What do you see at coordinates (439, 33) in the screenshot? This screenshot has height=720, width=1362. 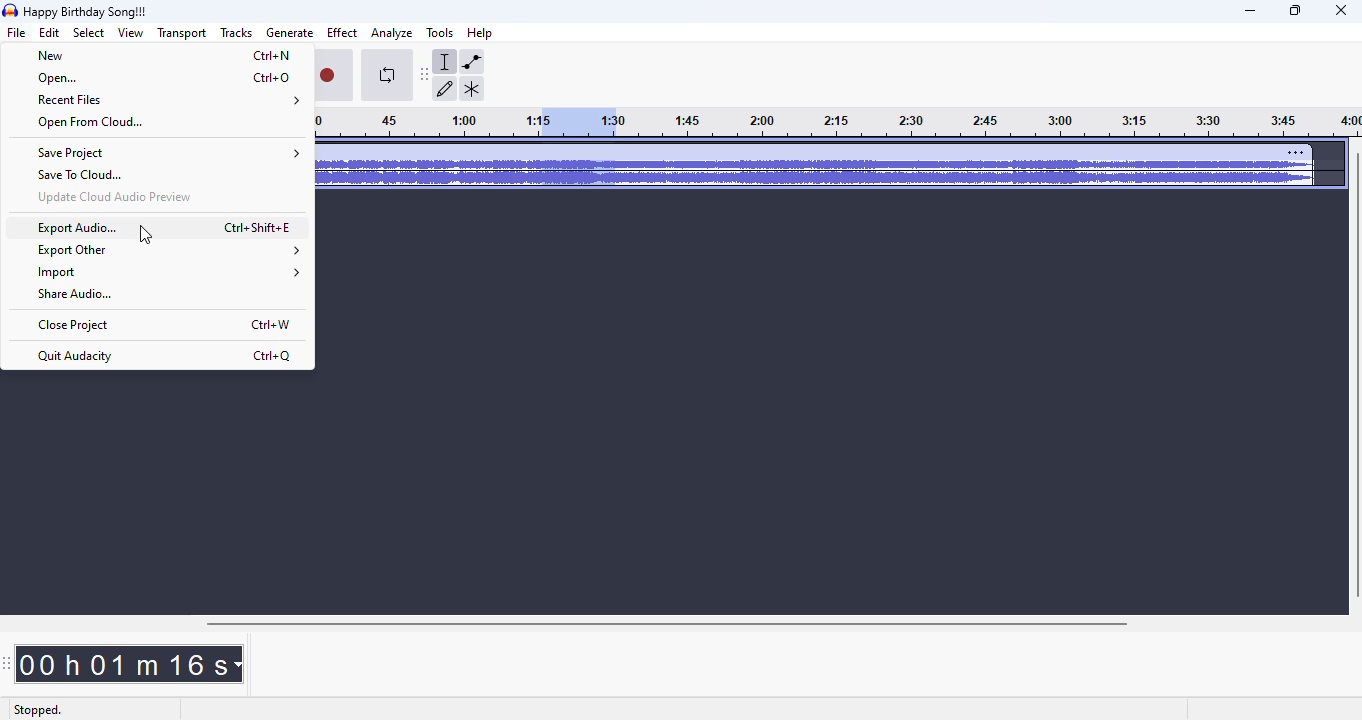 I see `tools` at bounding box center [439, 33].